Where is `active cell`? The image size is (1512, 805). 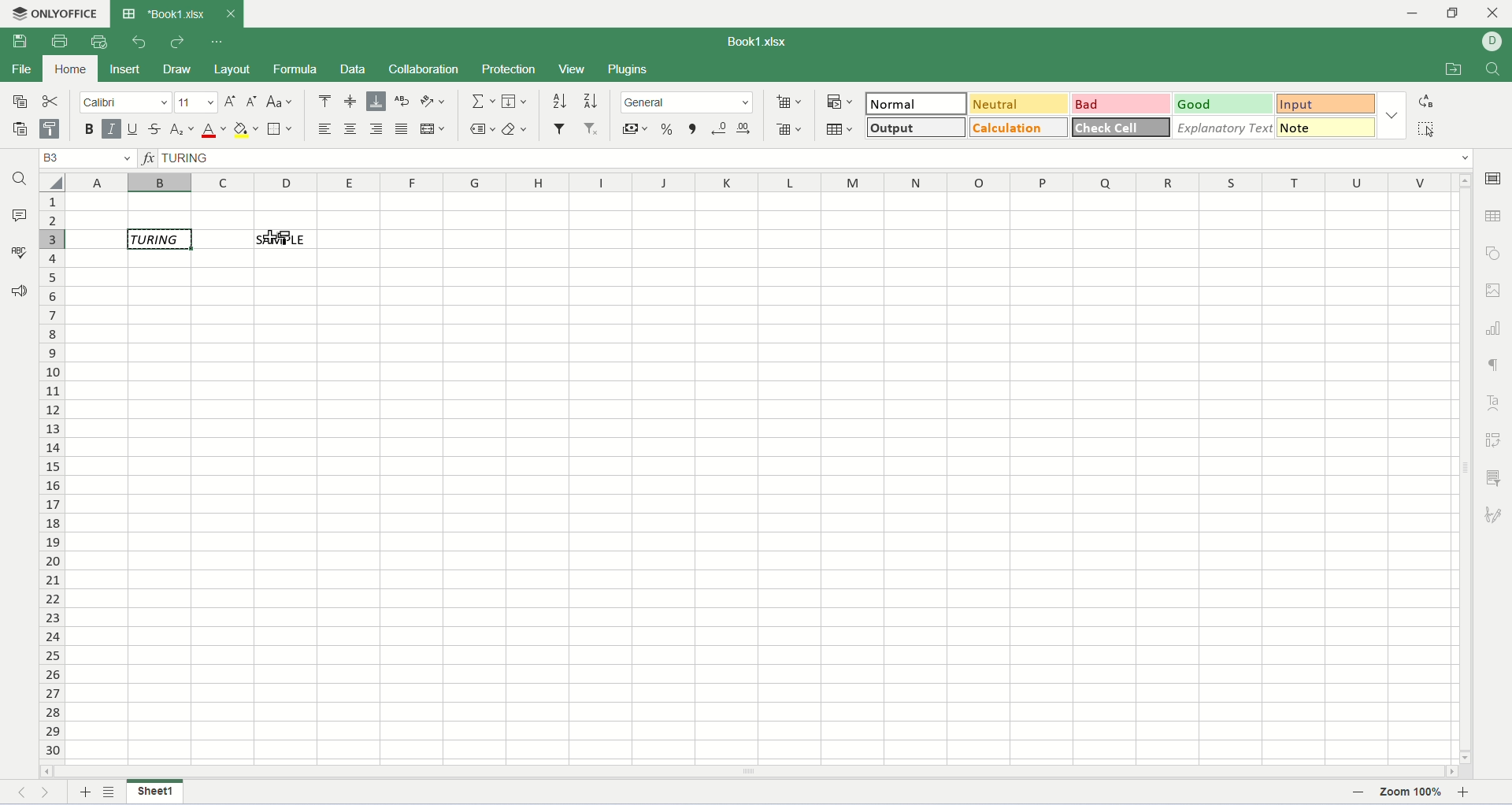 active cell is located at coordinates (160, 239).